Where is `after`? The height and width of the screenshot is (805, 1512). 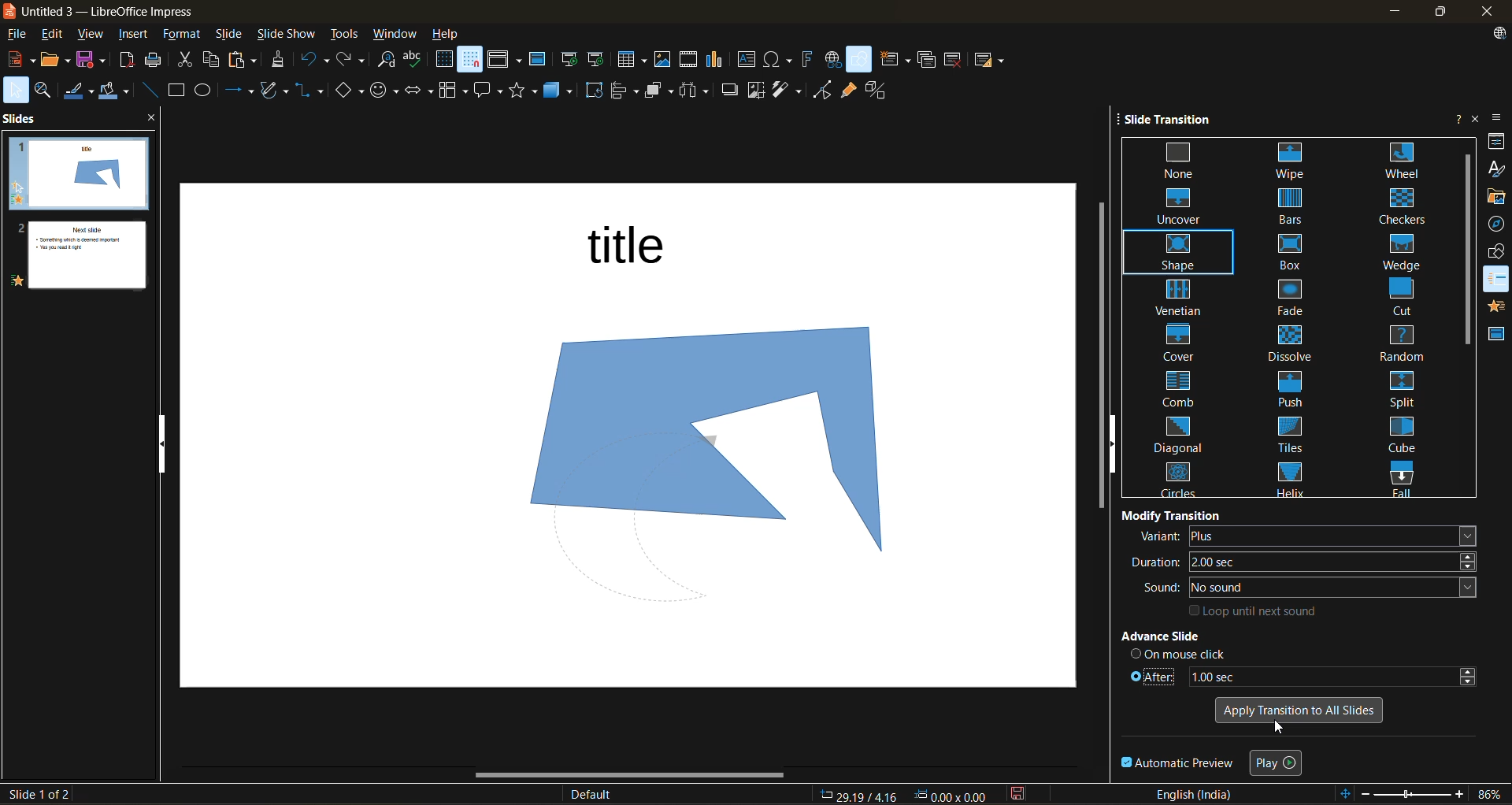
after is located at coordinates (1300, 674).